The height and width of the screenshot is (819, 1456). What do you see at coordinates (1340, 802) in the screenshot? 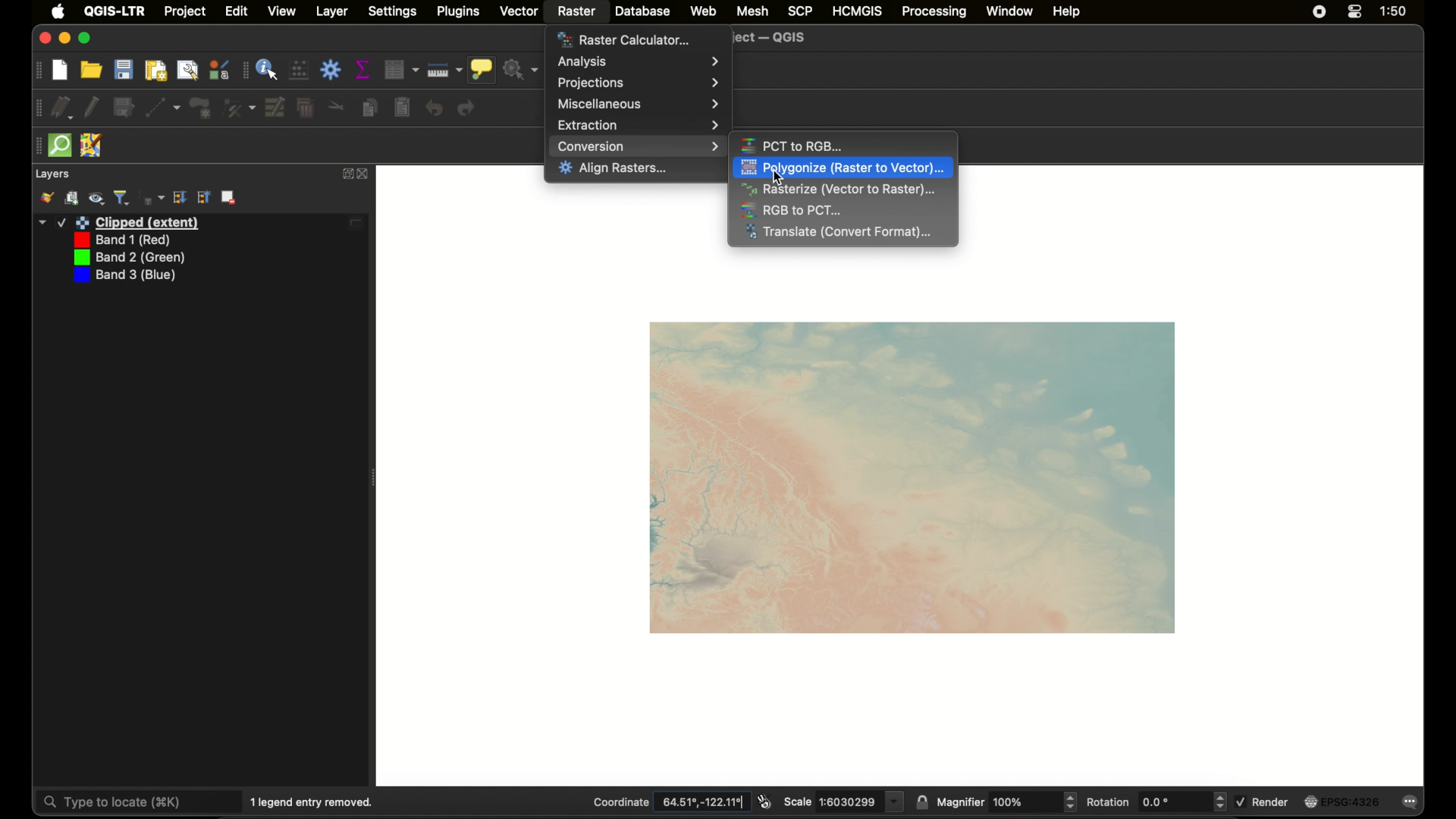
I see `current crs` at bounding box center [1340, 802].